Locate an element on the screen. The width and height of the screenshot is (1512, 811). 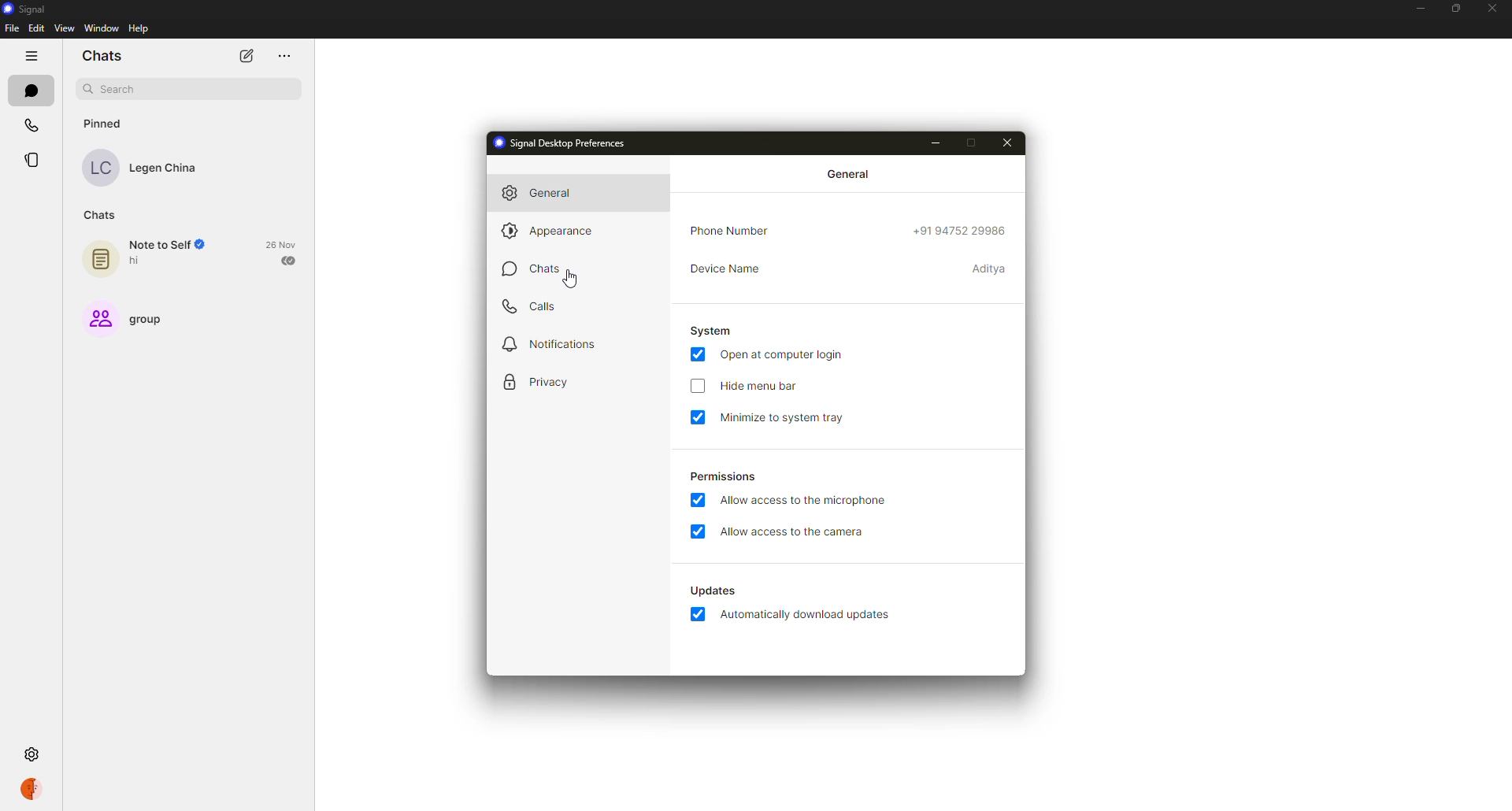
calls is located at coordinates (31, 128).